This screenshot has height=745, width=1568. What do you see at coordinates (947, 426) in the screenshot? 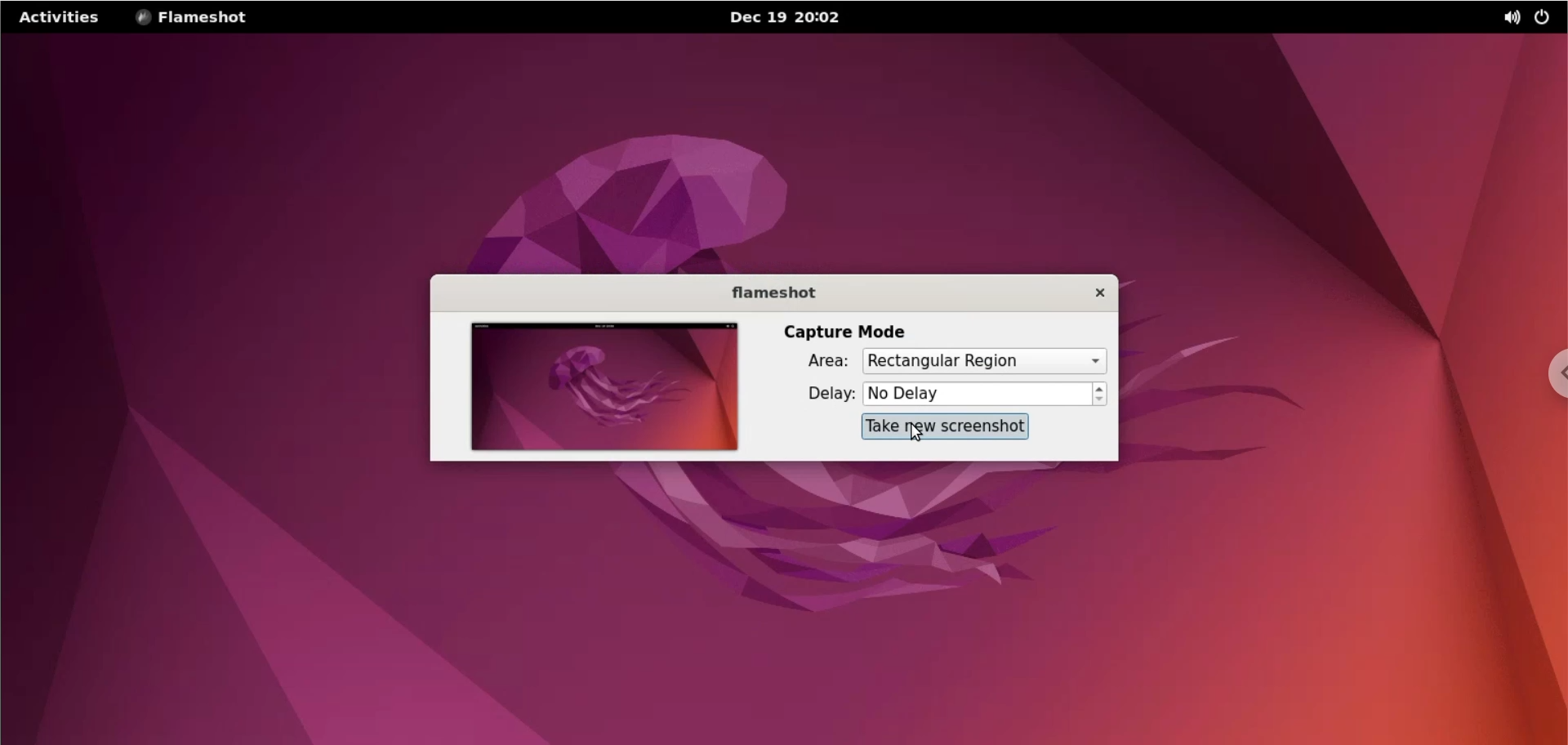
I see `take screenshot` at bounding box center [947, 426].